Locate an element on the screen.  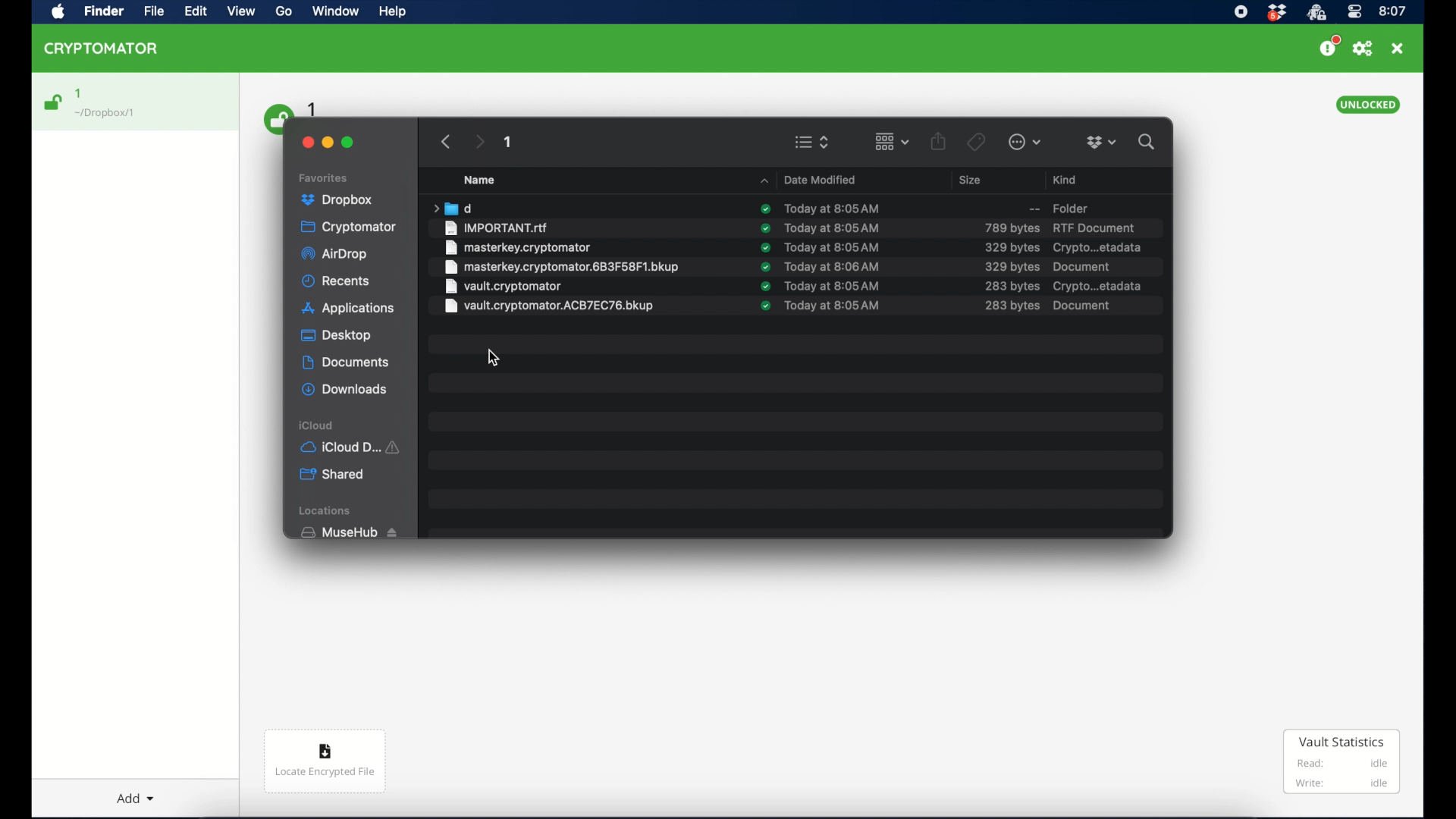
preferences is located at coordinates (1363, 49).